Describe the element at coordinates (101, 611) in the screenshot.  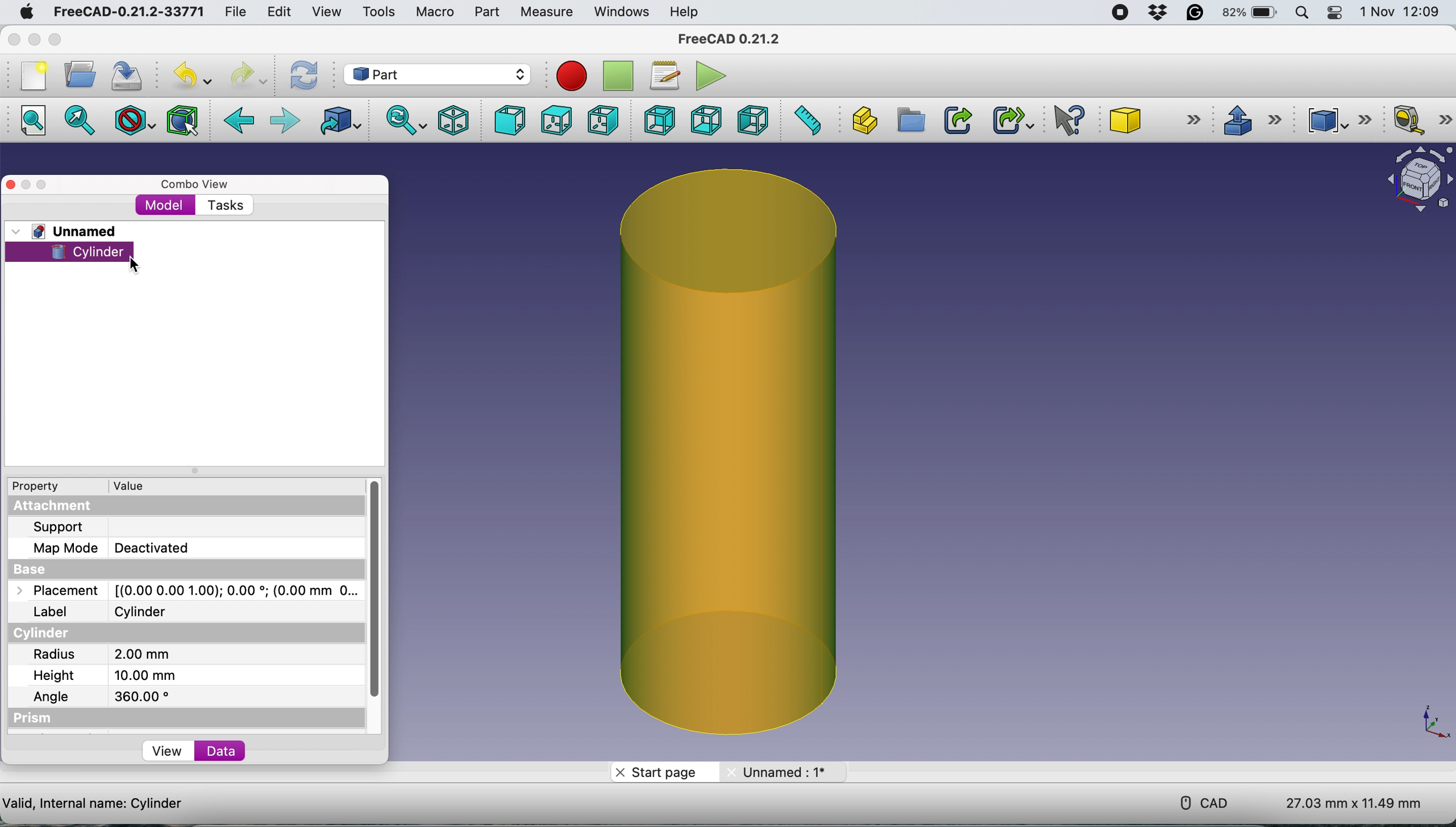
I see `label` at that location.